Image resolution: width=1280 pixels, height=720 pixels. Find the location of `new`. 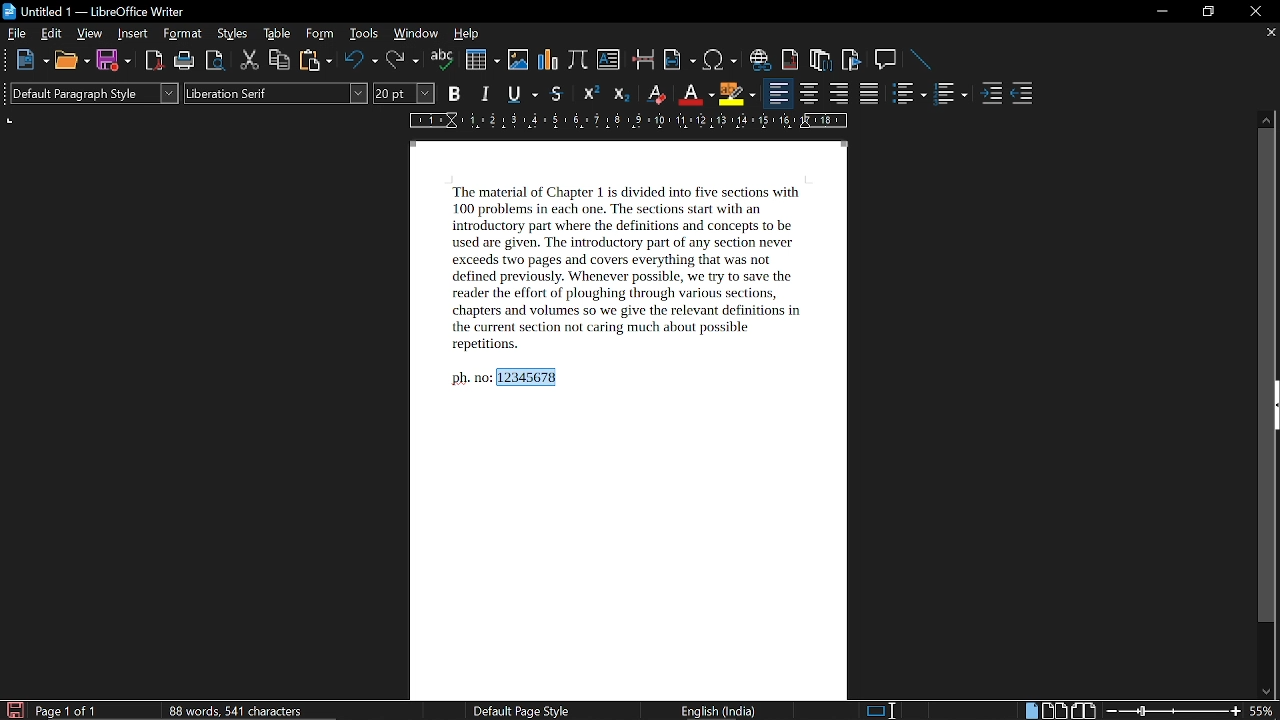

new is located at coordinates (33, 60).